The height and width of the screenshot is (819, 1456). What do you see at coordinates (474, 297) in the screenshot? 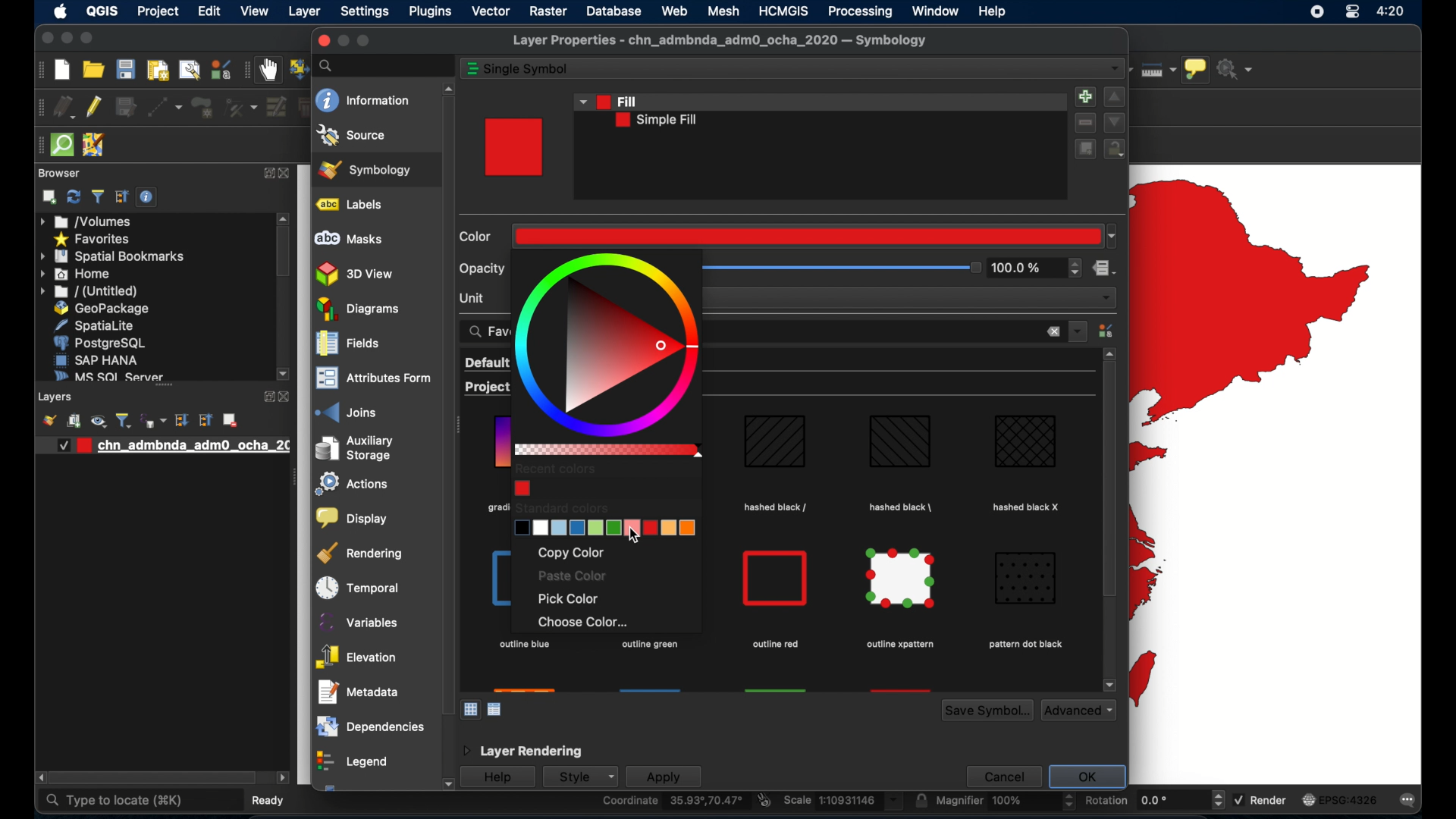
I see `unit` at bounding box center [474, 297].